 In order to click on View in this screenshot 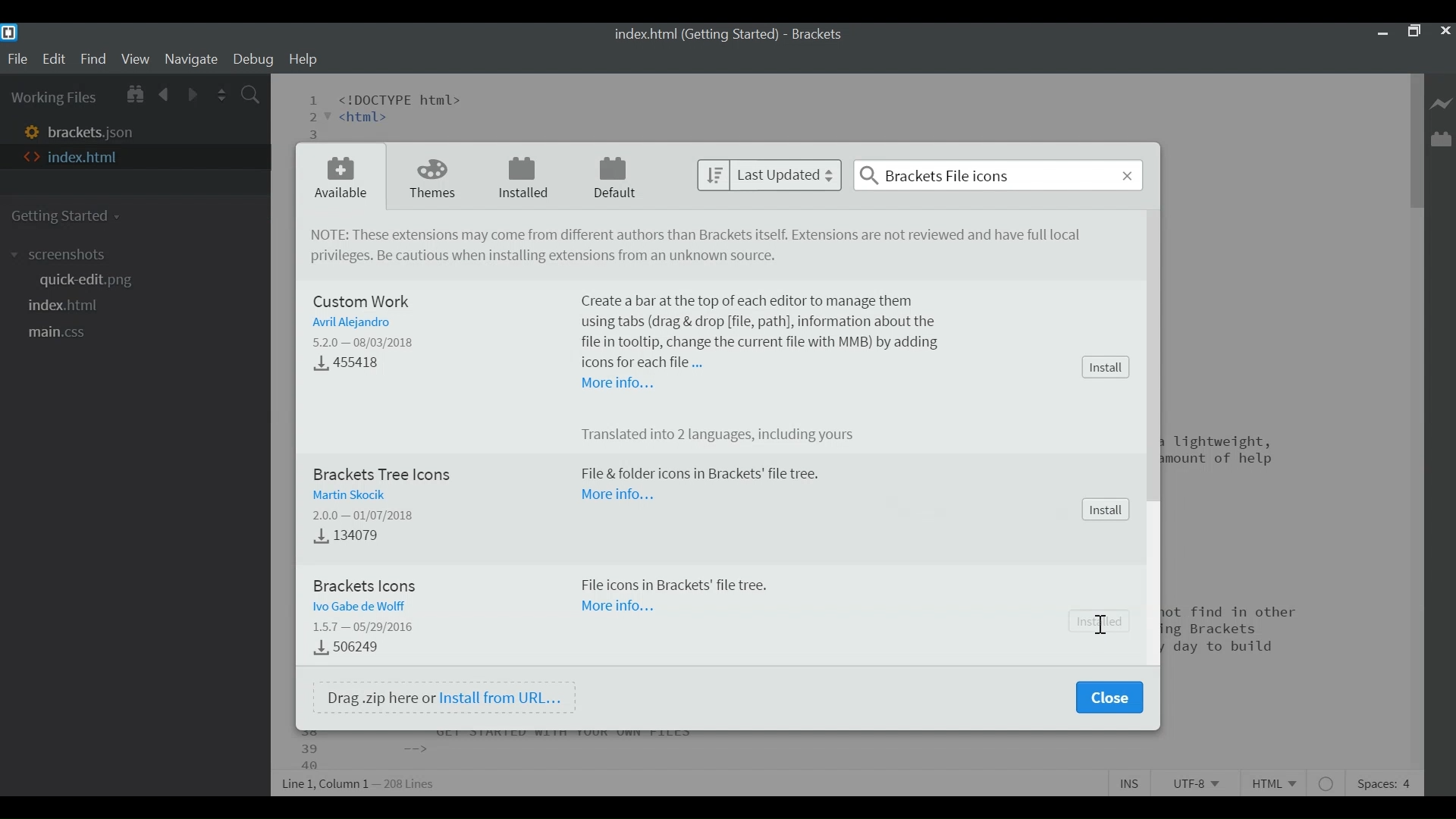, I will do `click(135, 60)`.